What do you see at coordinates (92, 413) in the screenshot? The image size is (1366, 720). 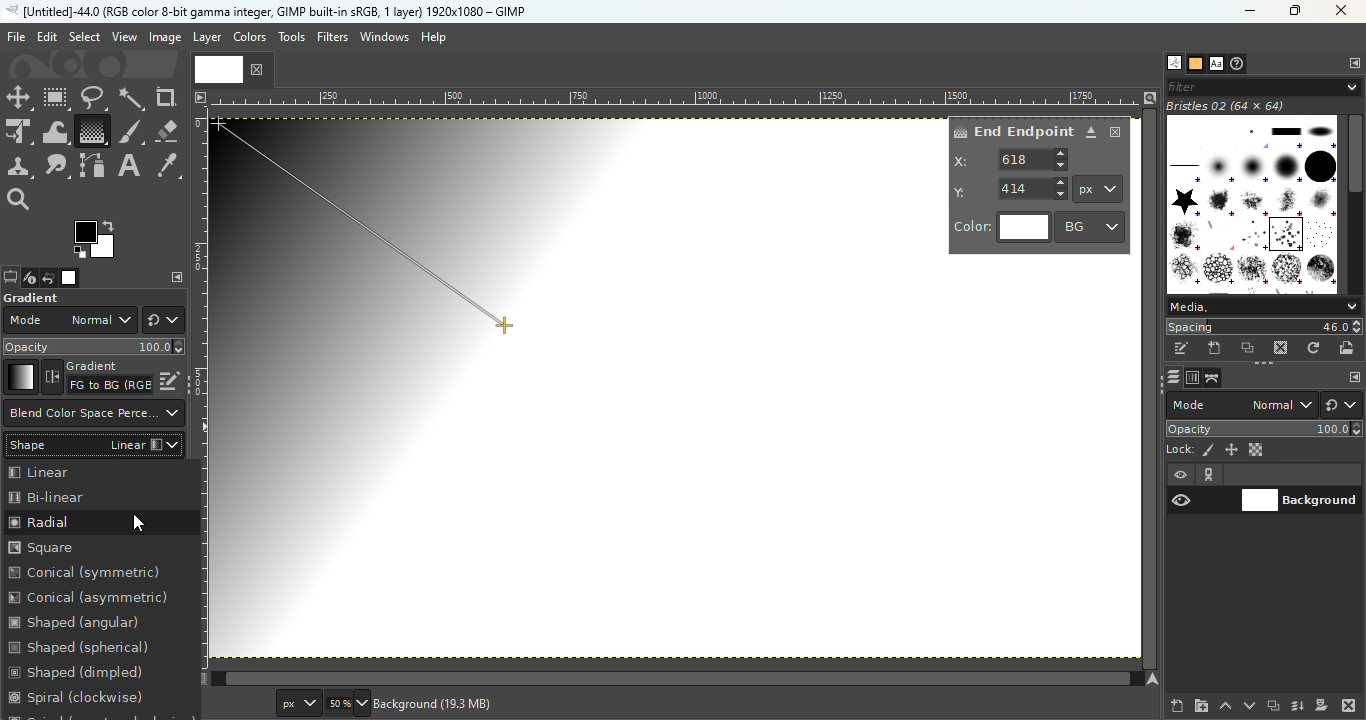 I see `Which color space to use when blending RGB gradient segments` at bounding box center [92, 413].